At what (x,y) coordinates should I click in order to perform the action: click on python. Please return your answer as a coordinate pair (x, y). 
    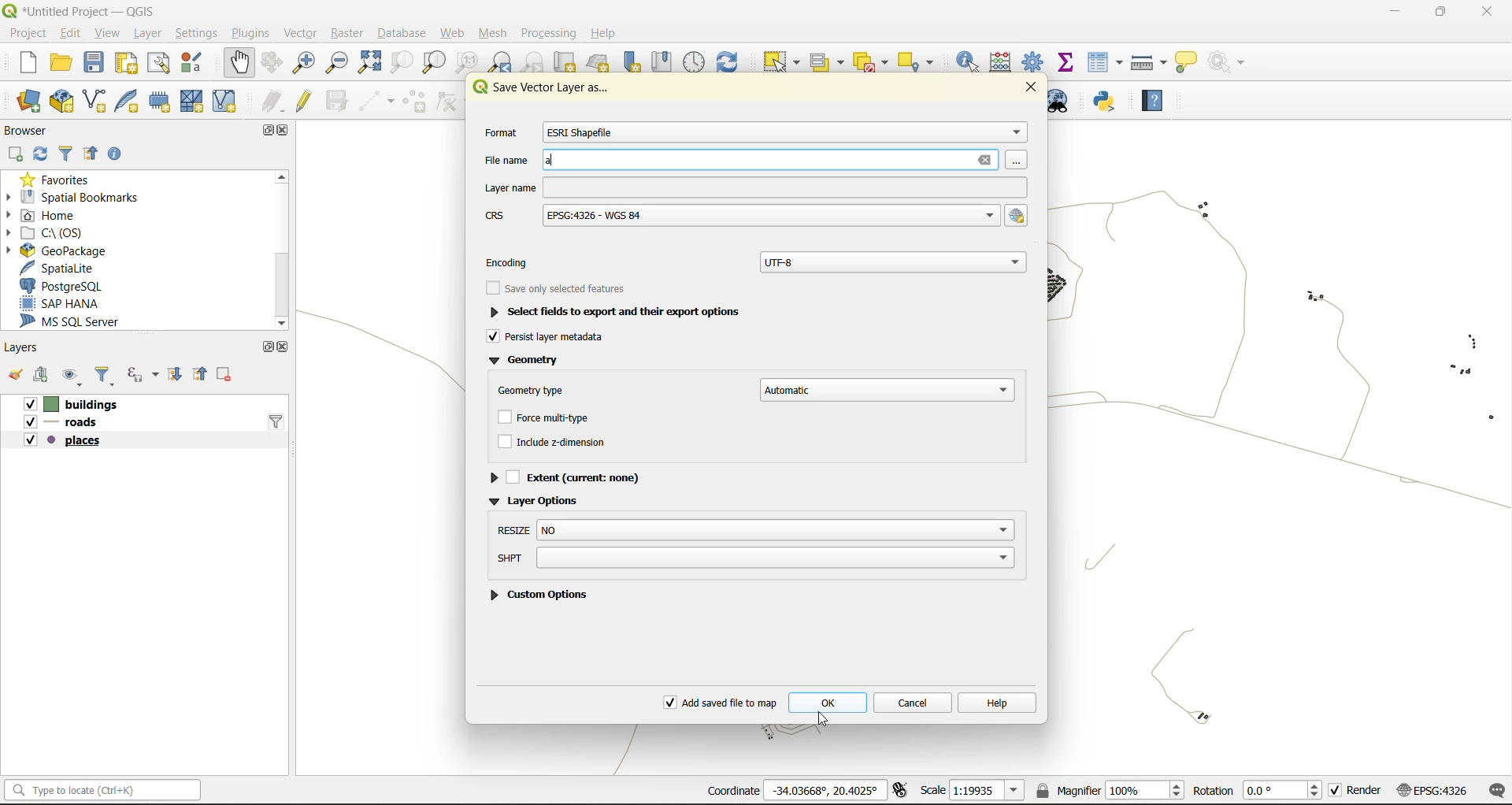
    Looking at the image, I should click on (1110, 103).